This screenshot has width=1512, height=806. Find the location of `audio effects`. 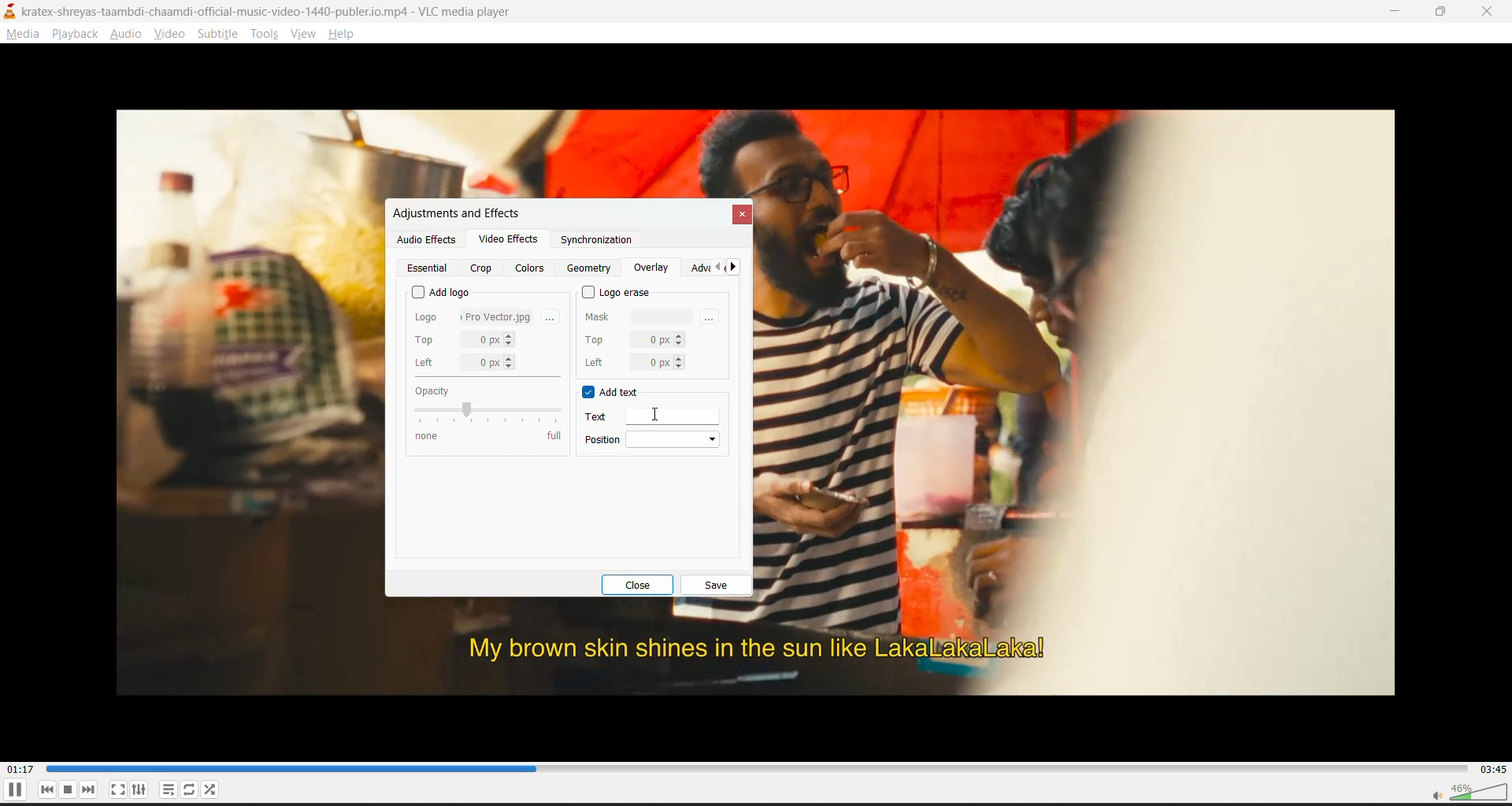

audio effects is located at coordinates (426, 239).